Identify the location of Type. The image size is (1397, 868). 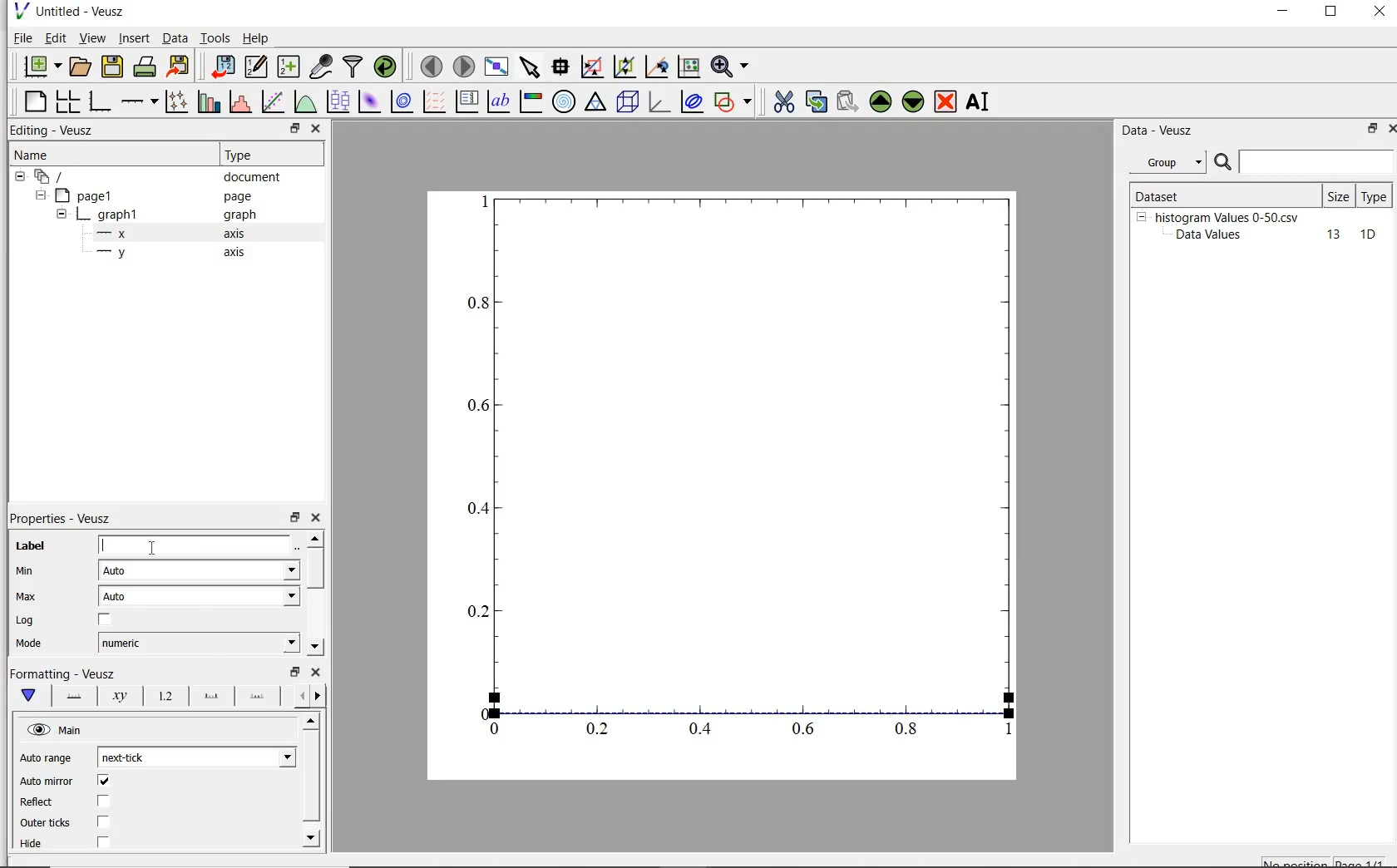
(268, 155).